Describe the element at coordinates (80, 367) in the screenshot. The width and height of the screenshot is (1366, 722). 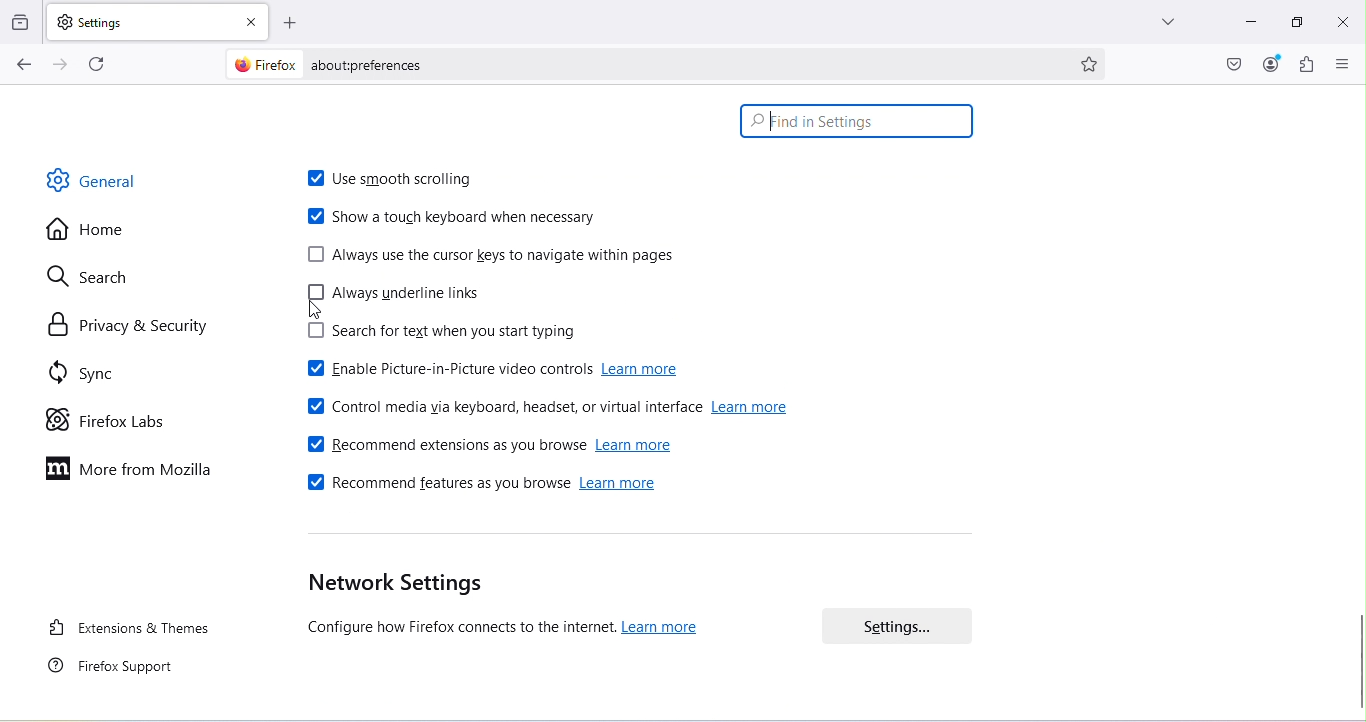
I see `Sync` at that location.